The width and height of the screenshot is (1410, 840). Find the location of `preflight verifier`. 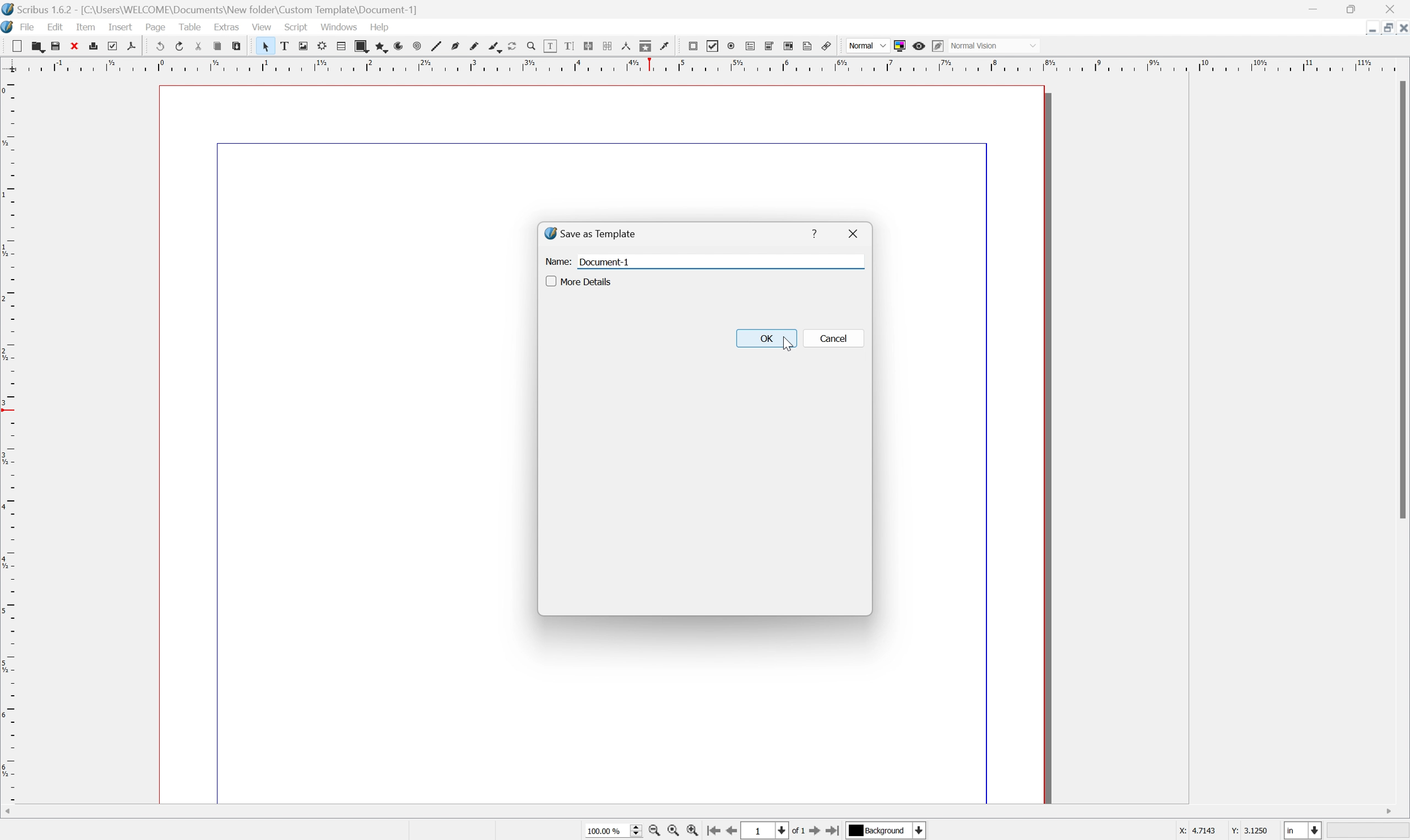

preflight verifier is located at coordinates (110, 46).